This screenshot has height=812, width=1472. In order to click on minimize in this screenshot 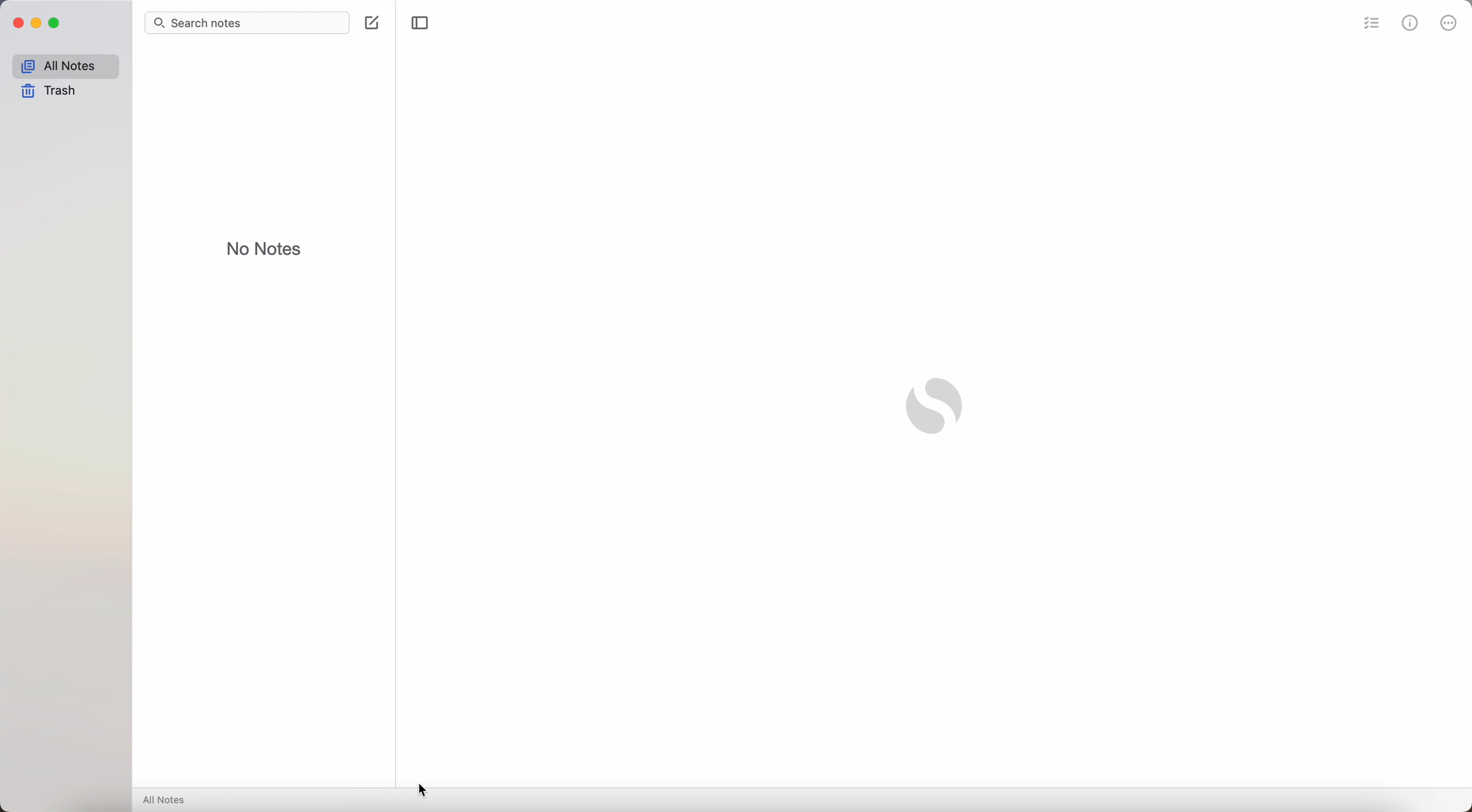, I will do `click(39, 24)`.